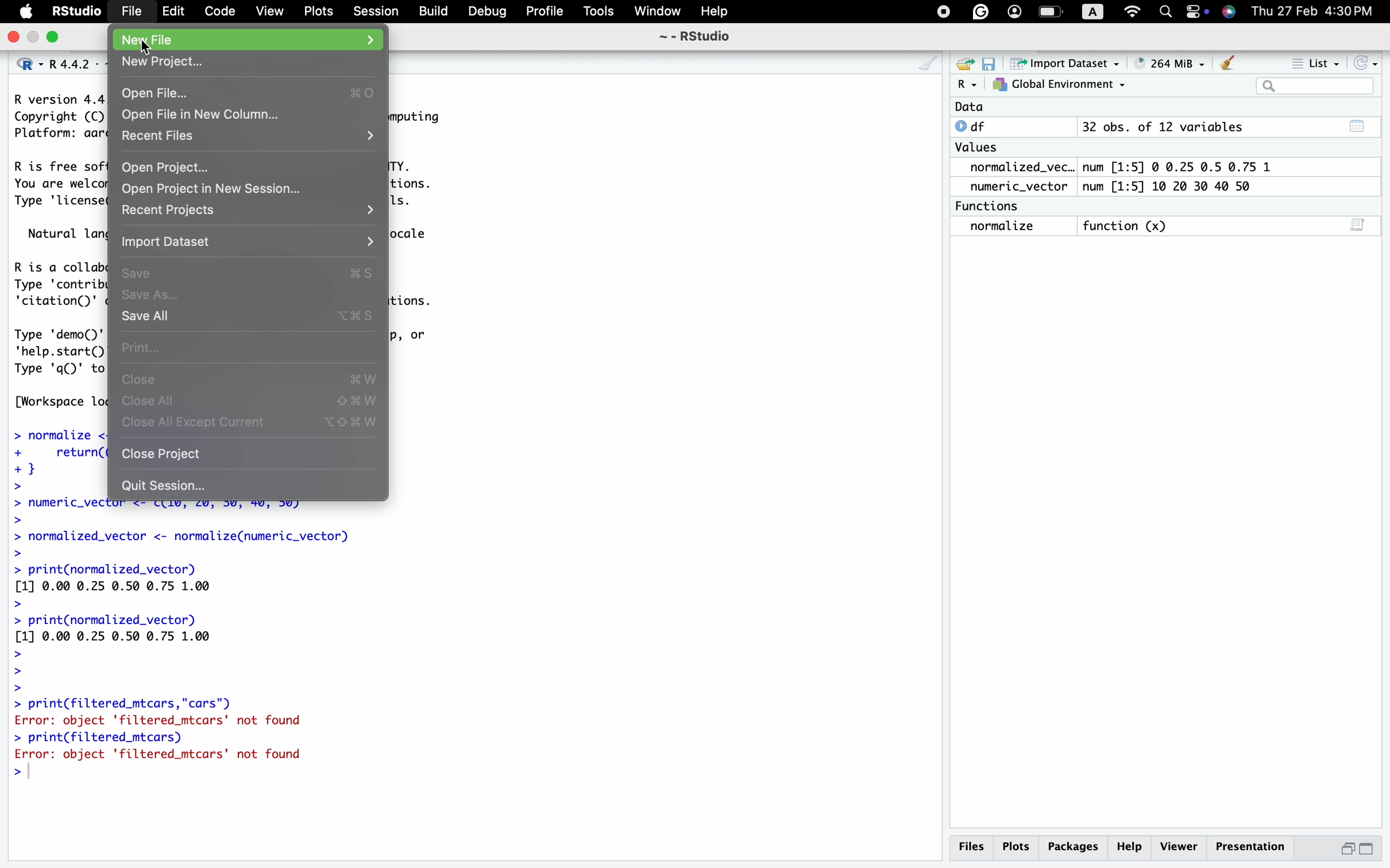 This screenshot has height=868, width=1390. I want to click on > print(normalized_vector)
[1] 0.00 0.25 0.50 0.75 1.00, so click(125, 653).